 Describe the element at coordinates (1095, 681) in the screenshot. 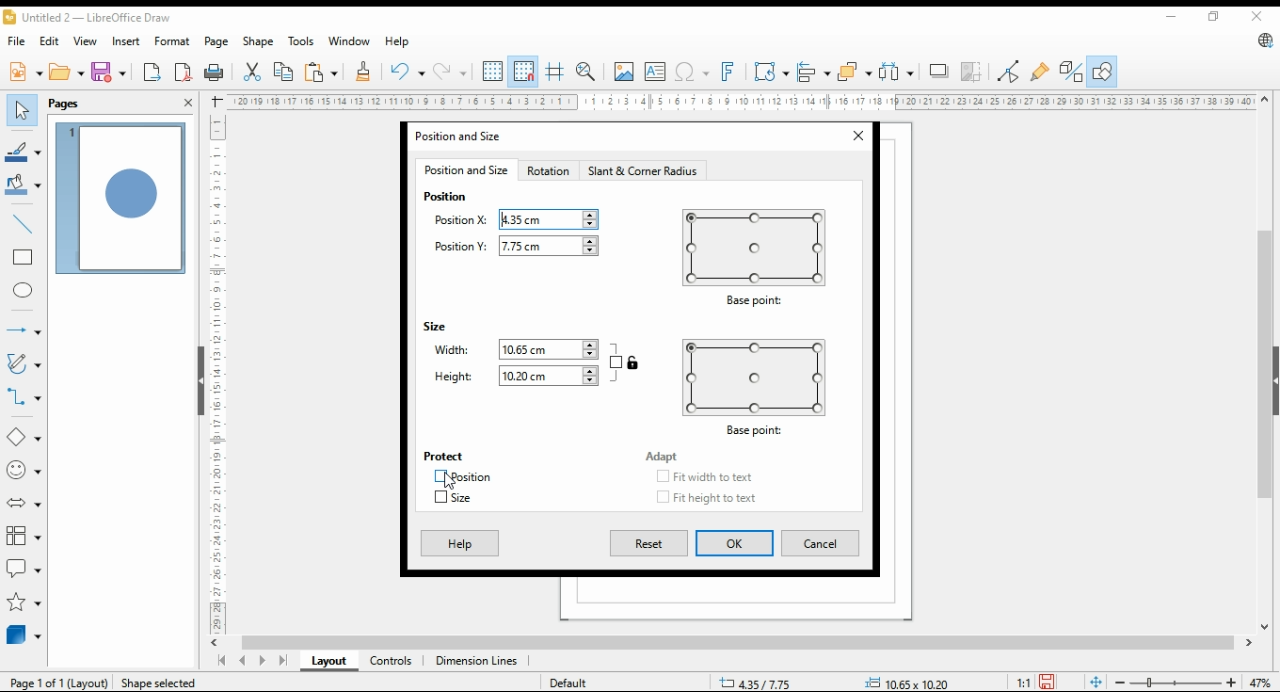

I see `fit page to window` at that location.